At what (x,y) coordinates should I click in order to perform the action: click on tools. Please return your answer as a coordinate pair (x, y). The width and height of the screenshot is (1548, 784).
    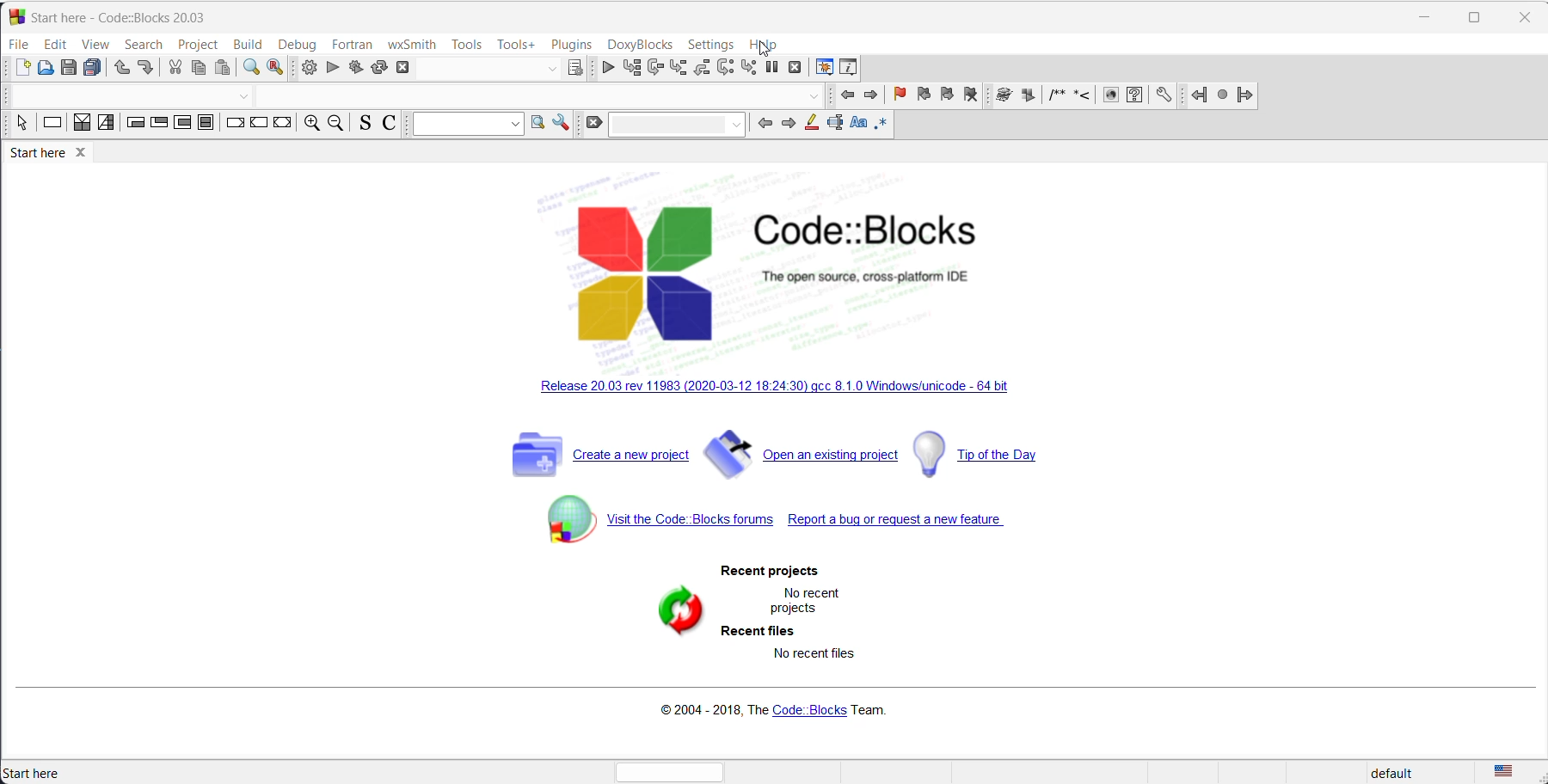
    Looking at the image, I should click on (466, 41).